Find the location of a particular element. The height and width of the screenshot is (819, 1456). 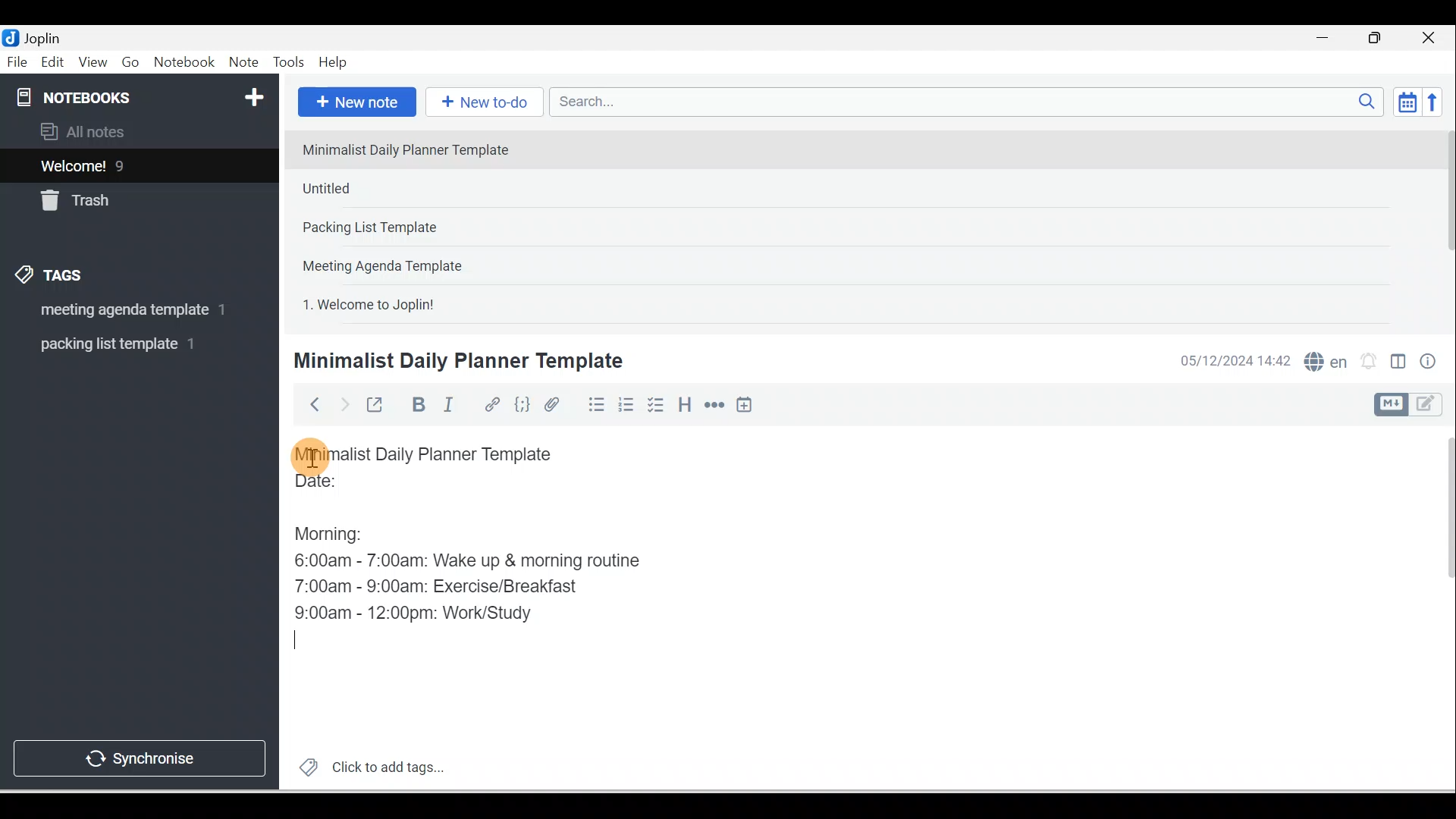

Synchronise is located at coordinates (138, 755).